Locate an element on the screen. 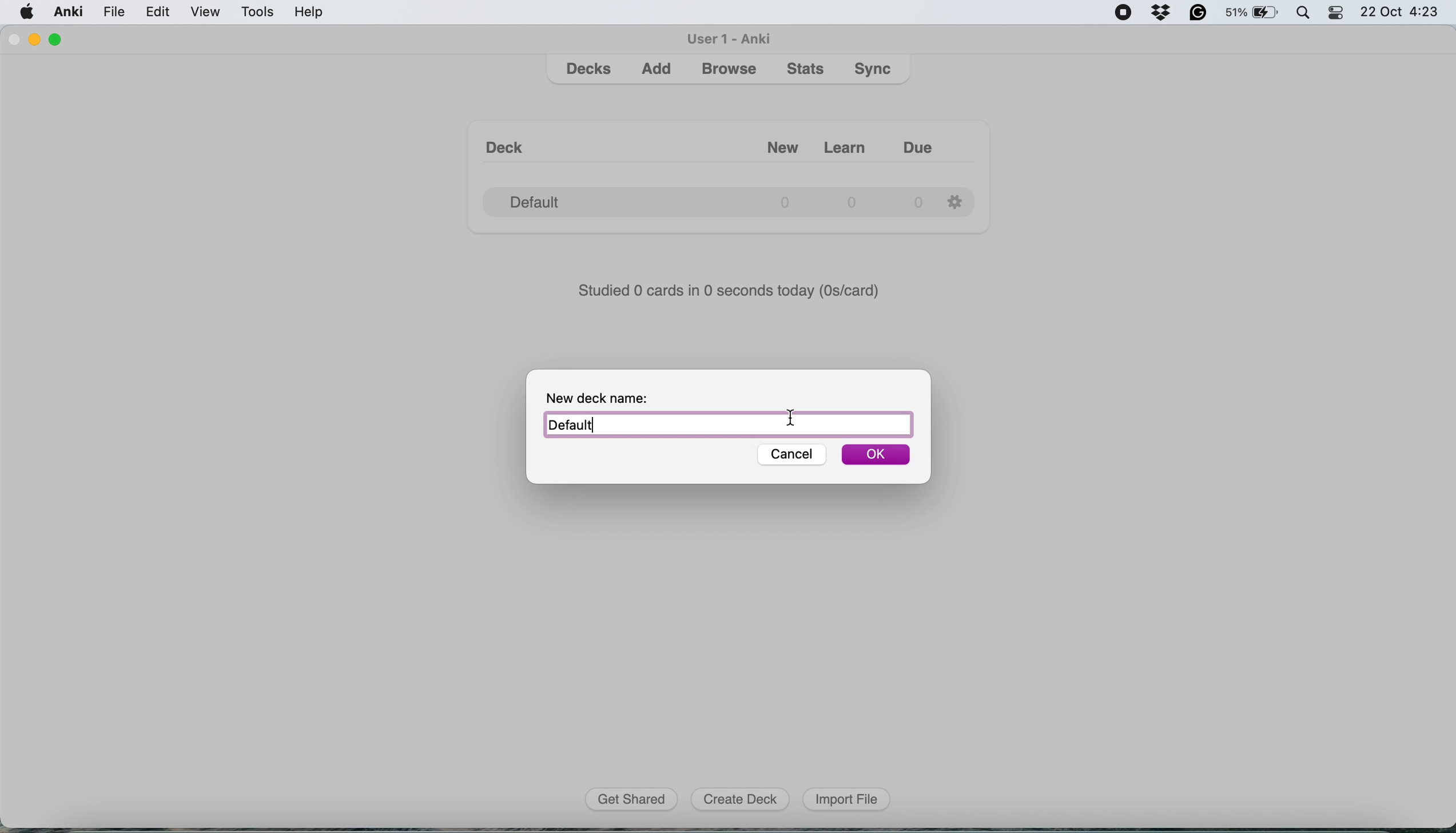 The height and width of the screenshot is (833, 1456). cursor is located at coordinates (790, 416).